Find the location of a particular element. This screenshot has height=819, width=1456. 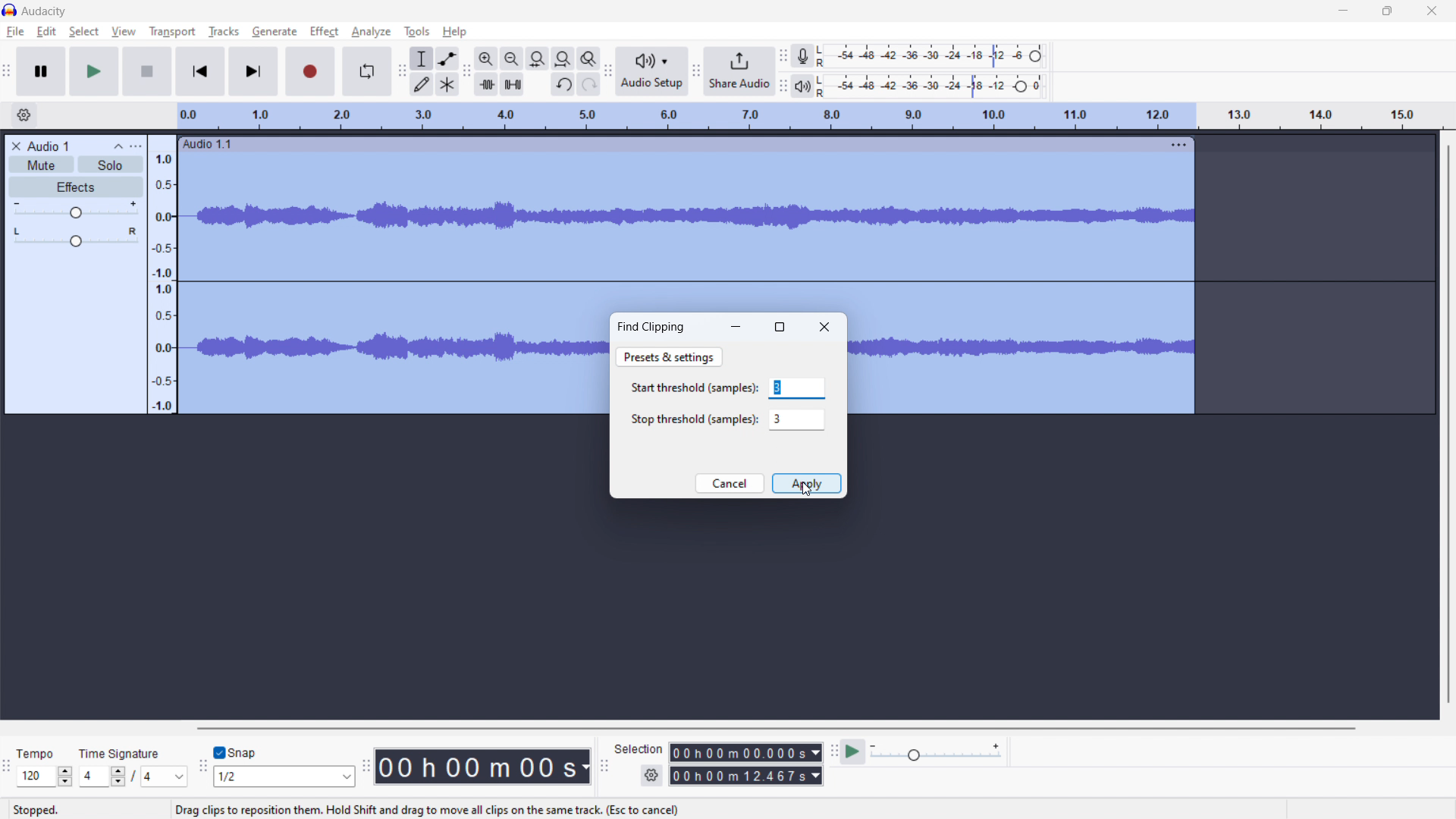

skip to end is located at coordinates (254, 71).